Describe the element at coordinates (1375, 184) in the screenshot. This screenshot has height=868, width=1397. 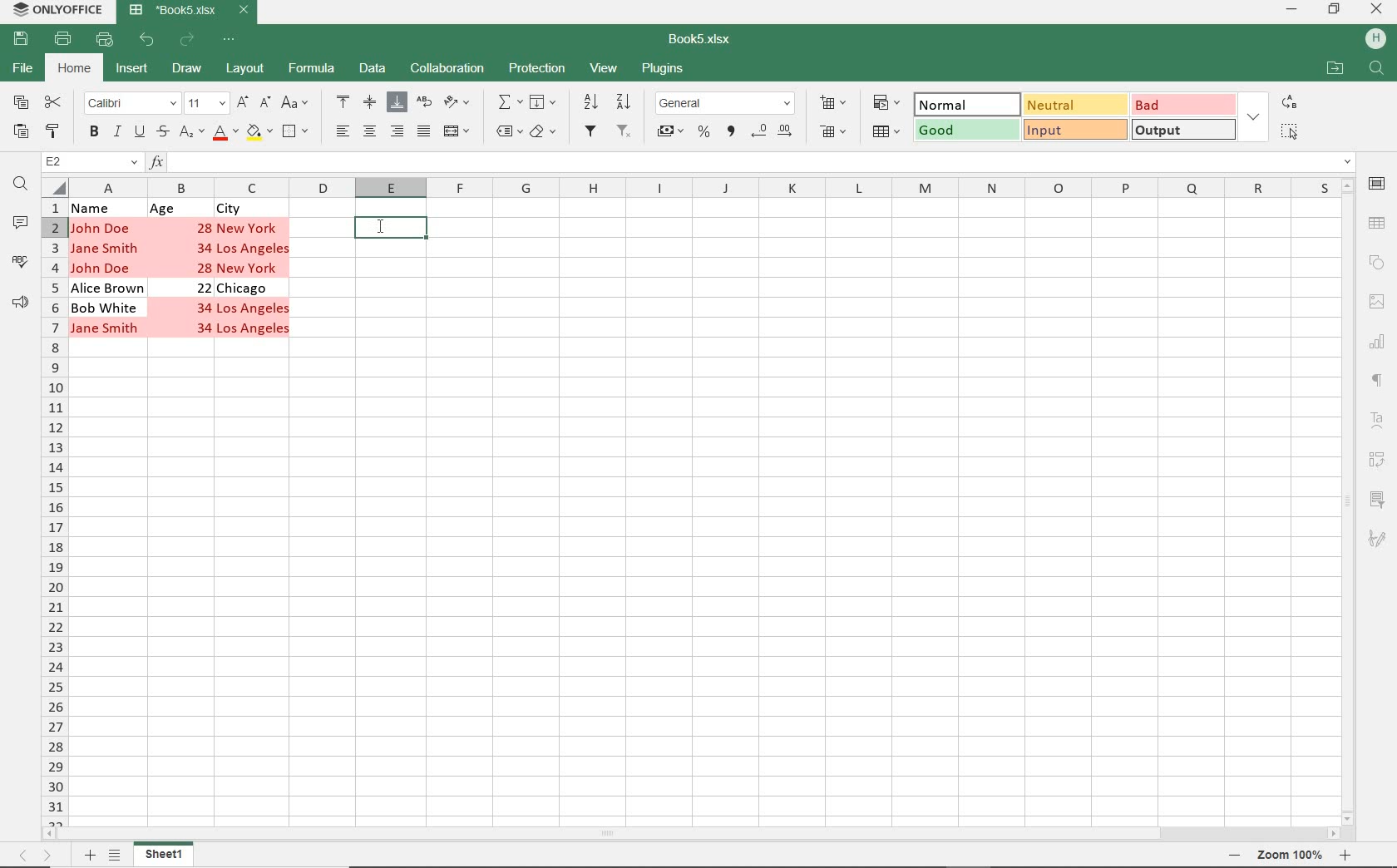
I see `CELL SETTINGS` at that location.